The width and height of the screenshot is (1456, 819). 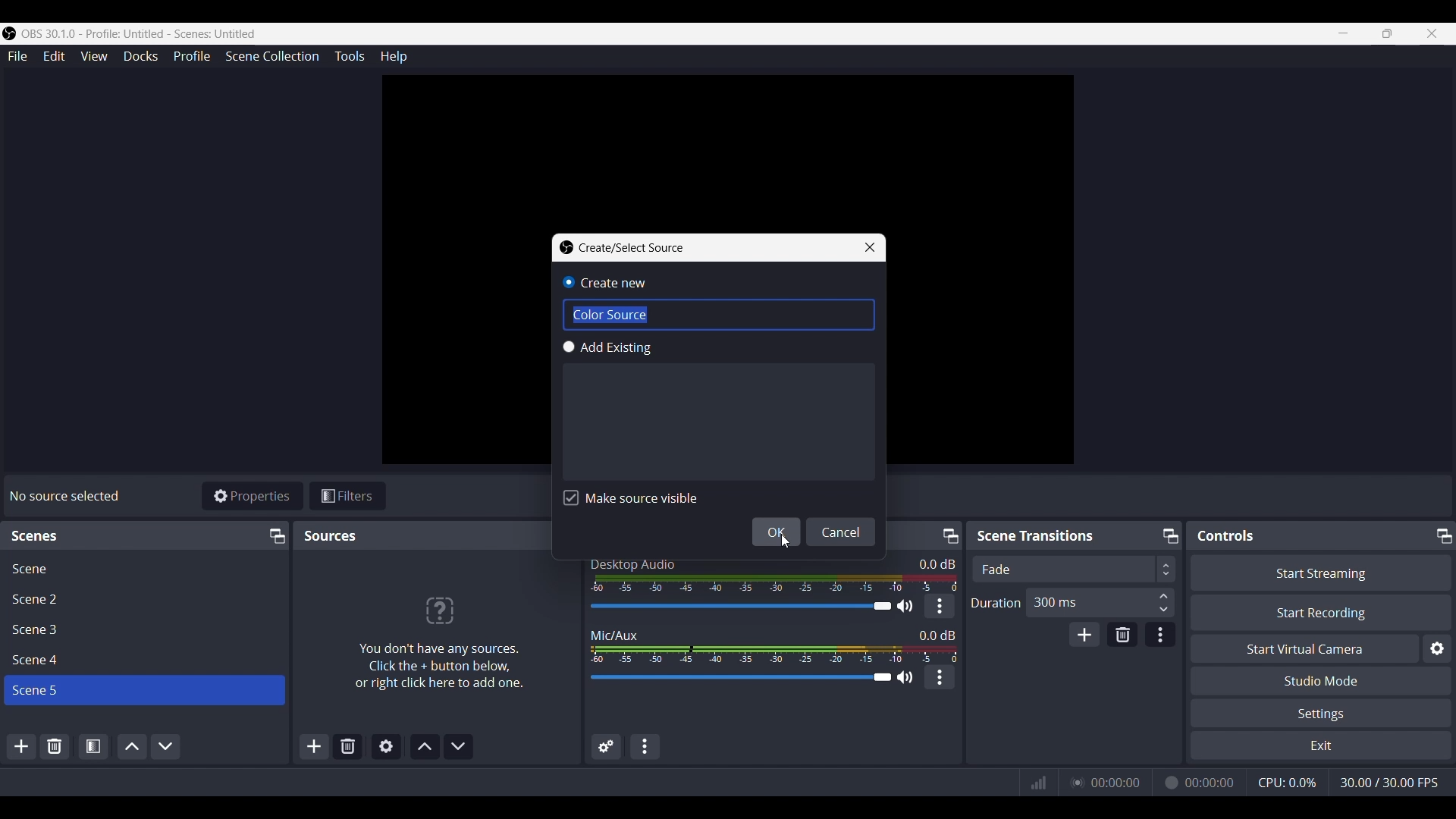 What do you see at coordinates (1444, 535) in the screenshot?
I see `Maximize` at bounding box center [1444, 535].